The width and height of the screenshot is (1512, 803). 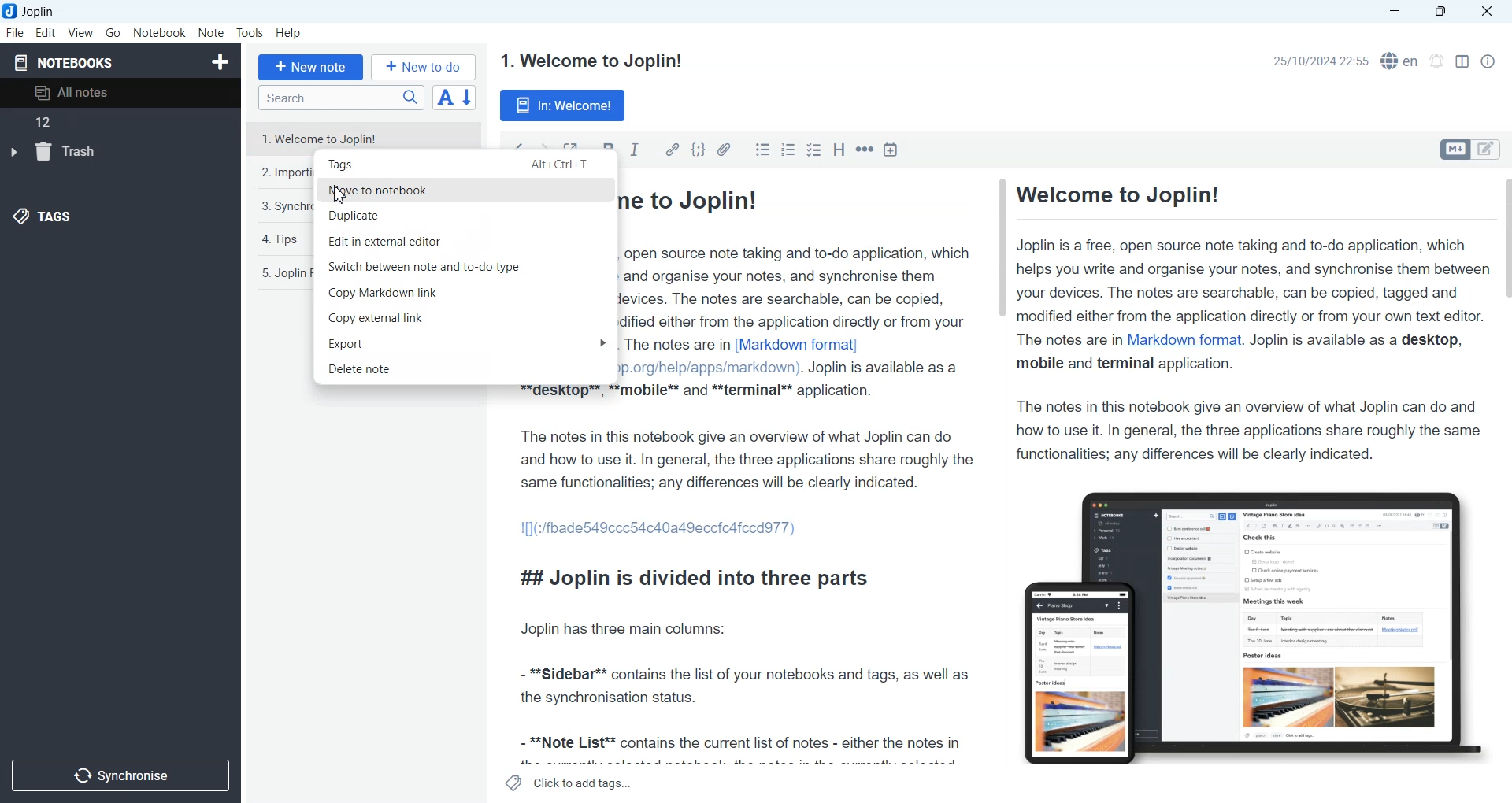 I want to click on Hyperlink, so click(x=672, y=150).